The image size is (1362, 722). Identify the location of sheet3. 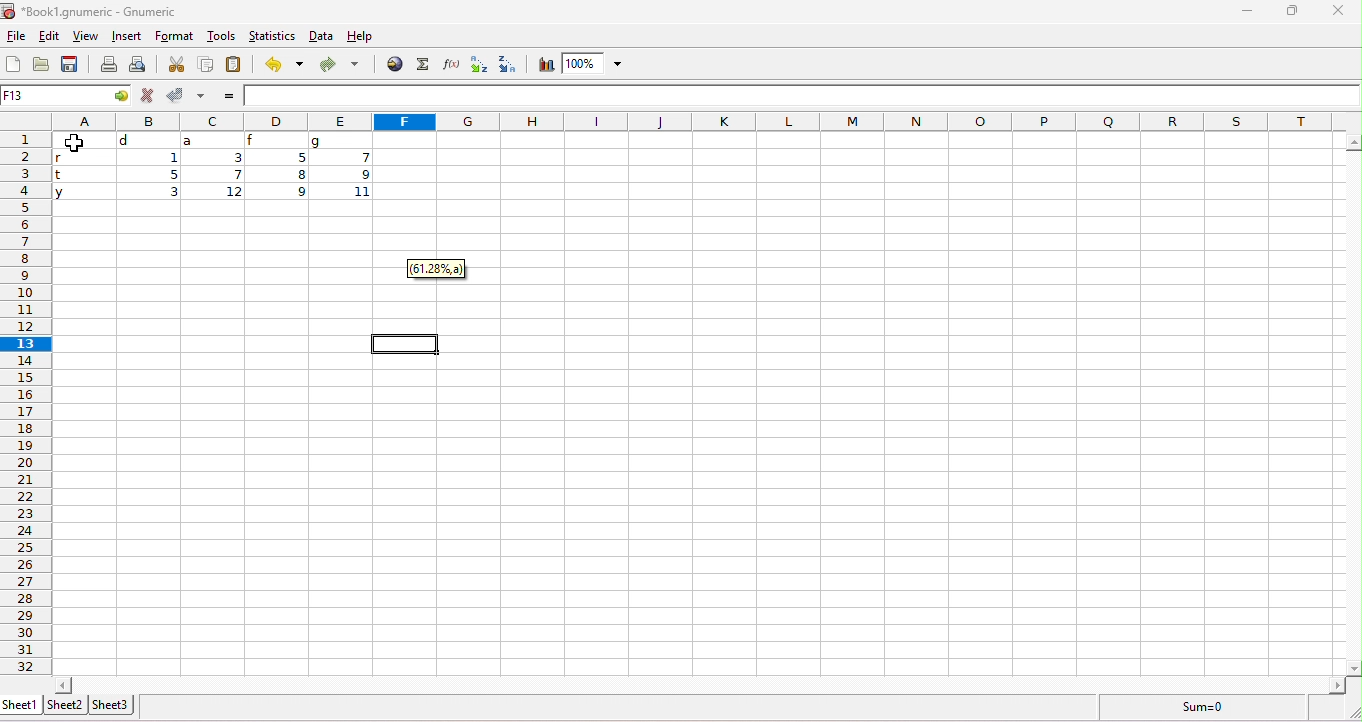
(113, 704).